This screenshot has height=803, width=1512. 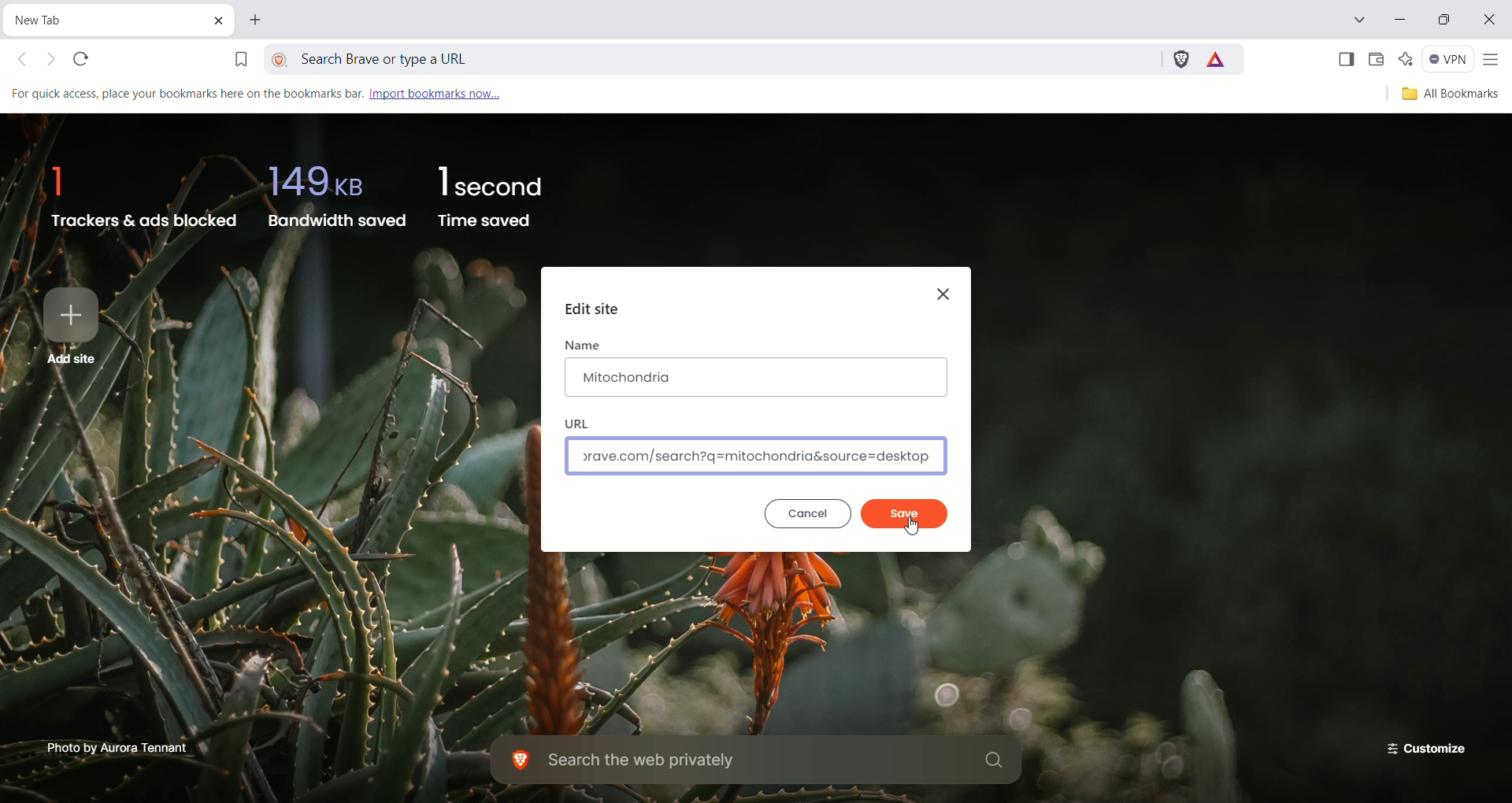 What do you see at coordinates (1344, 60) in the screenshot?
I see `show sidebar` at bounding box center [1344, 60].